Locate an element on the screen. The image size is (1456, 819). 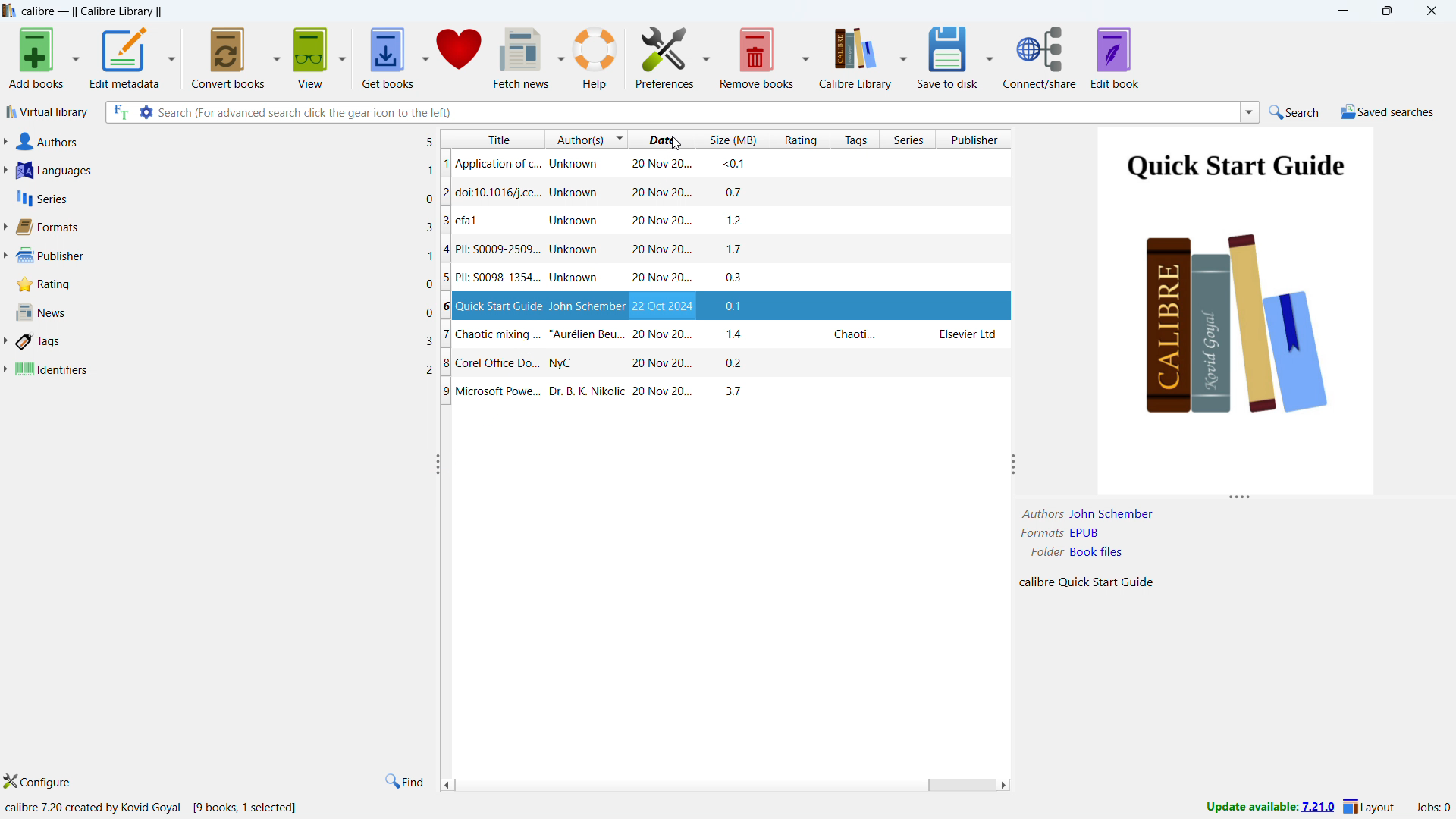
20 Nov 20.. is located at coordinates (662, 221).